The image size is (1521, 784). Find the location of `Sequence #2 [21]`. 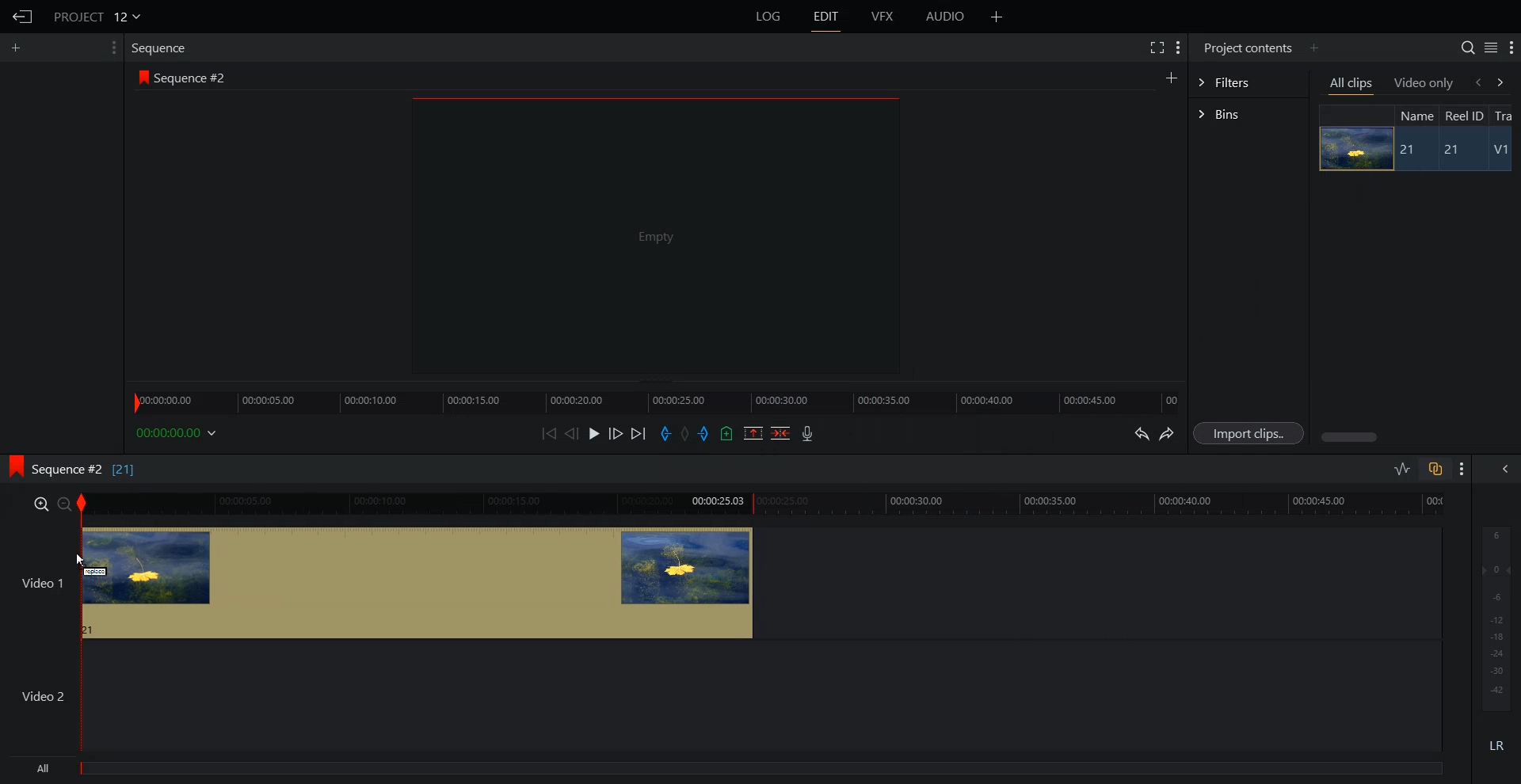

Sequence #2 [21] is located at coordinates (85, 470).